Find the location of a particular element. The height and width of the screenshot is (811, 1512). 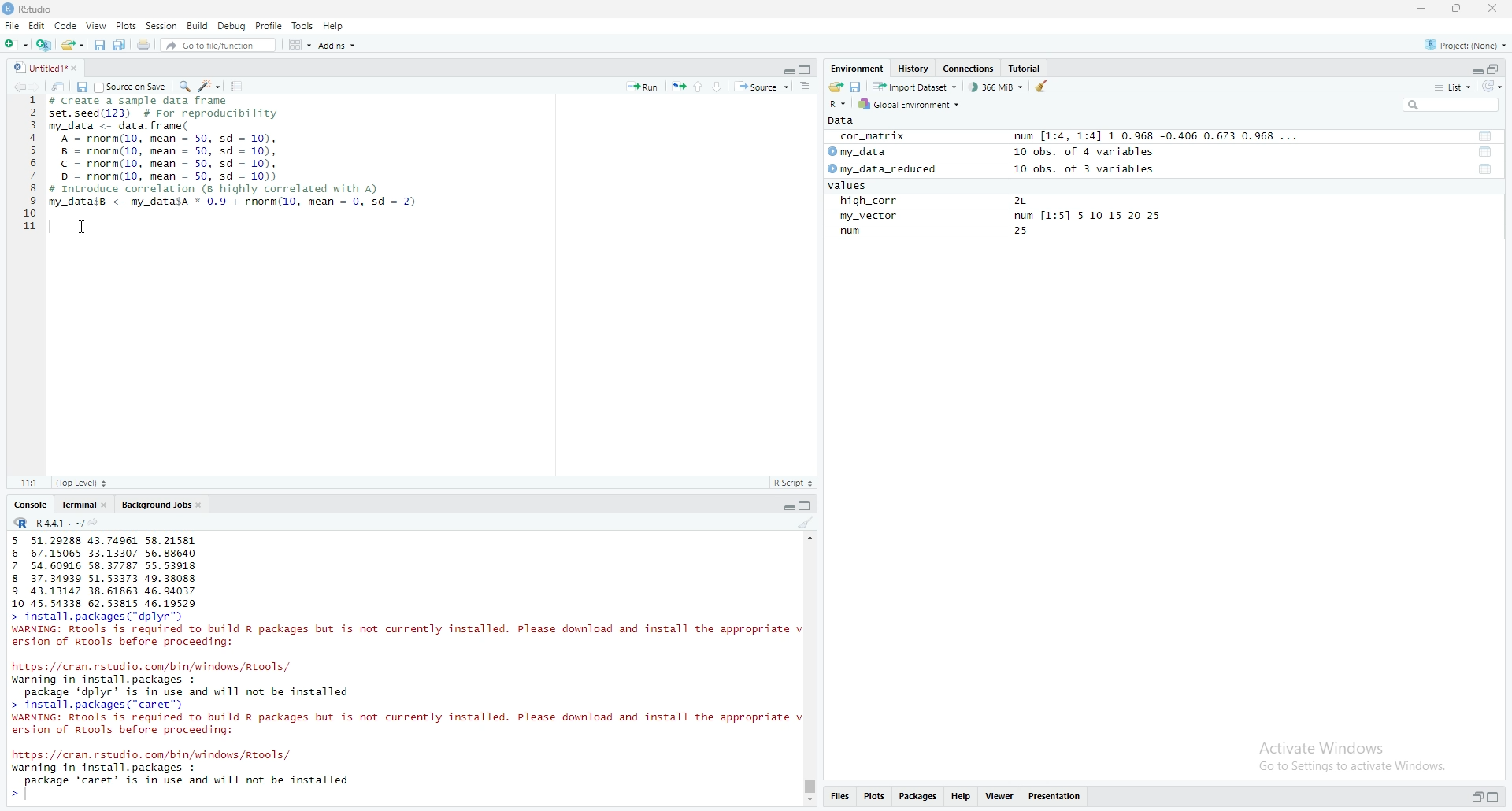

tool is located at coordinates (1487, 135).